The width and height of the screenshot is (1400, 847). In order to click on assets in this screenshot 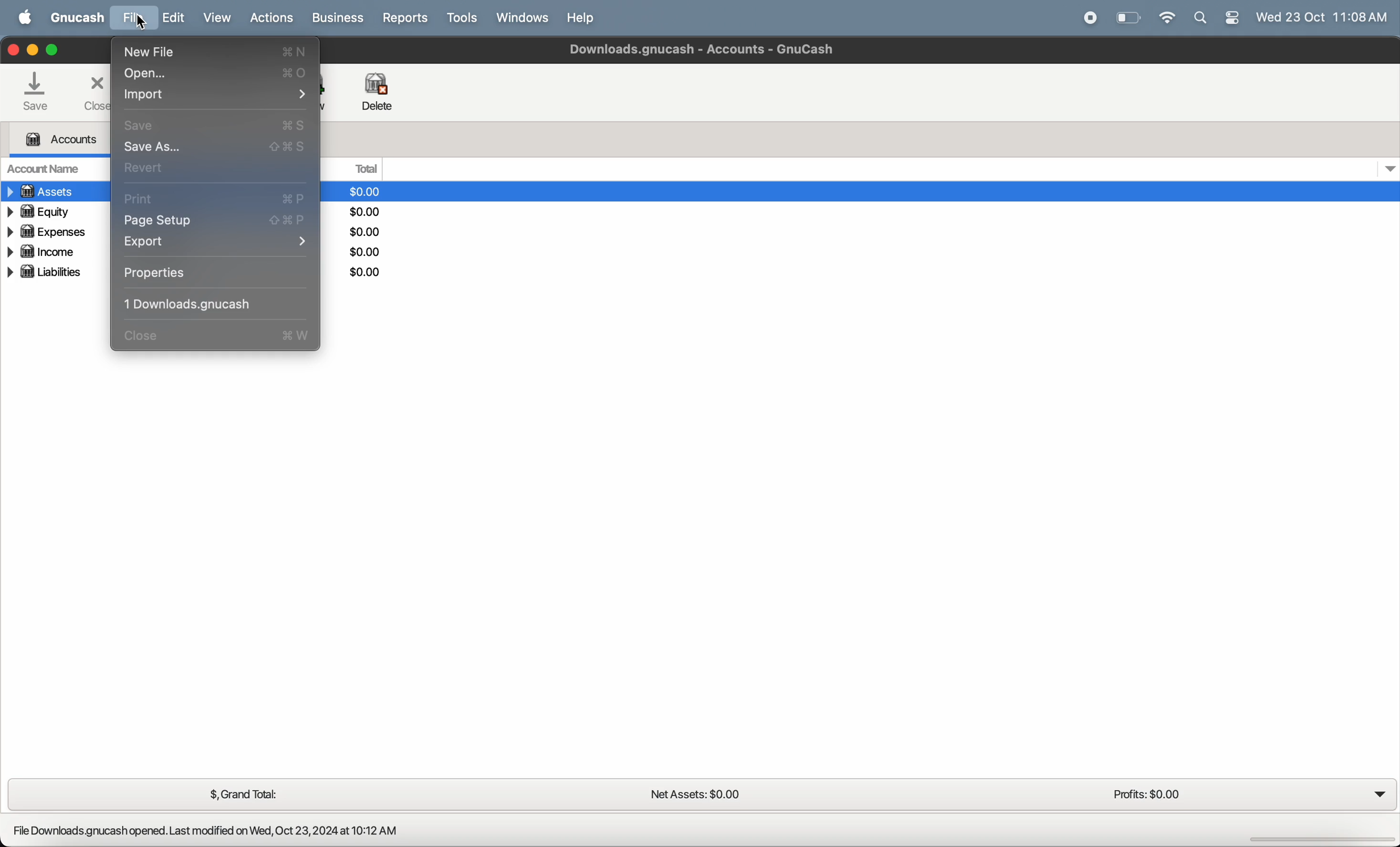, I will do `click(49, 191)`.